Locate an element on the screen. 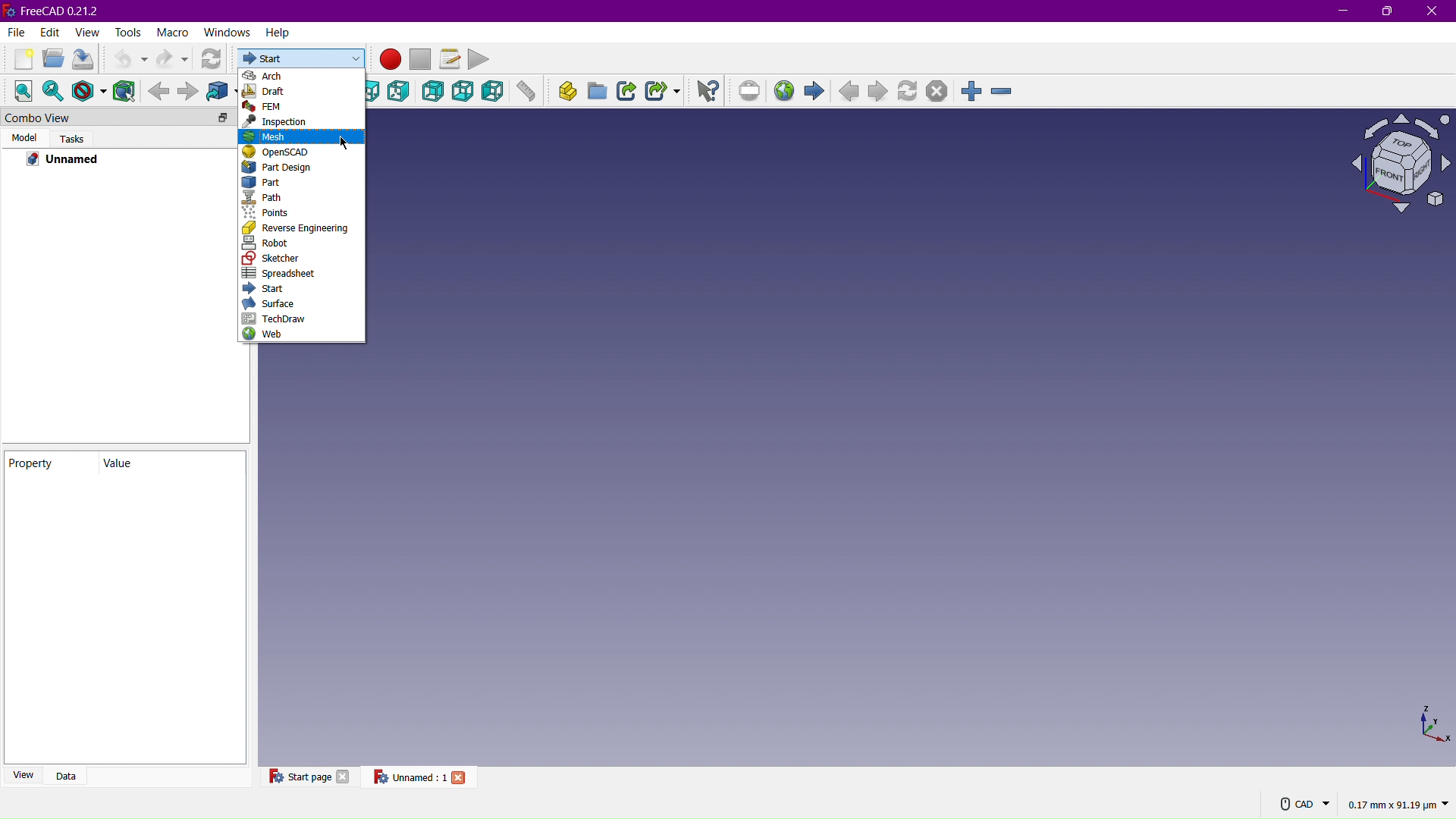 This screenshot has height=819, width=1456. Start is located at coordinates (268, 288).